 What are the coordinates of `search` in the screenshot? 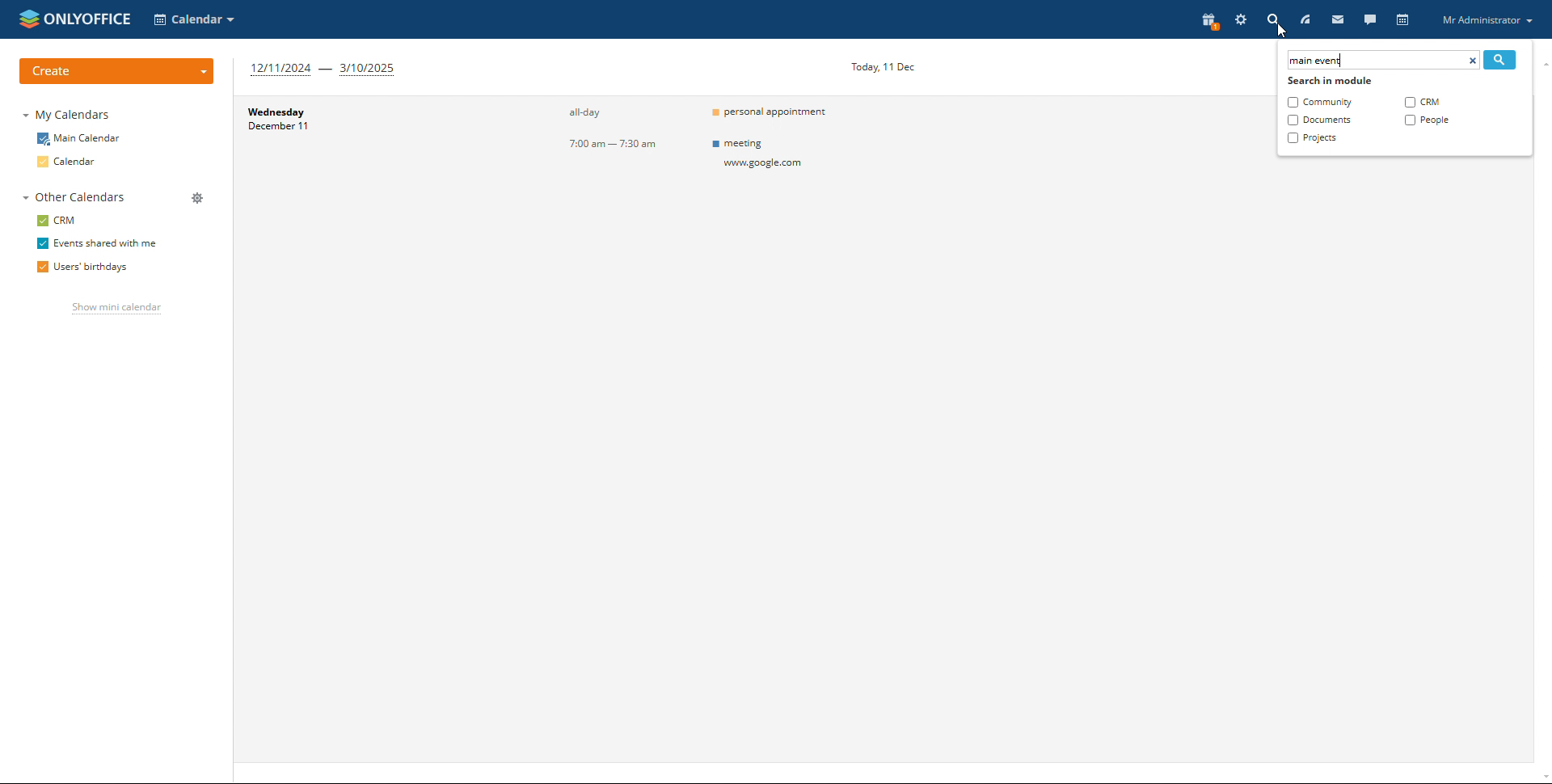 It's located at (1272, 19).